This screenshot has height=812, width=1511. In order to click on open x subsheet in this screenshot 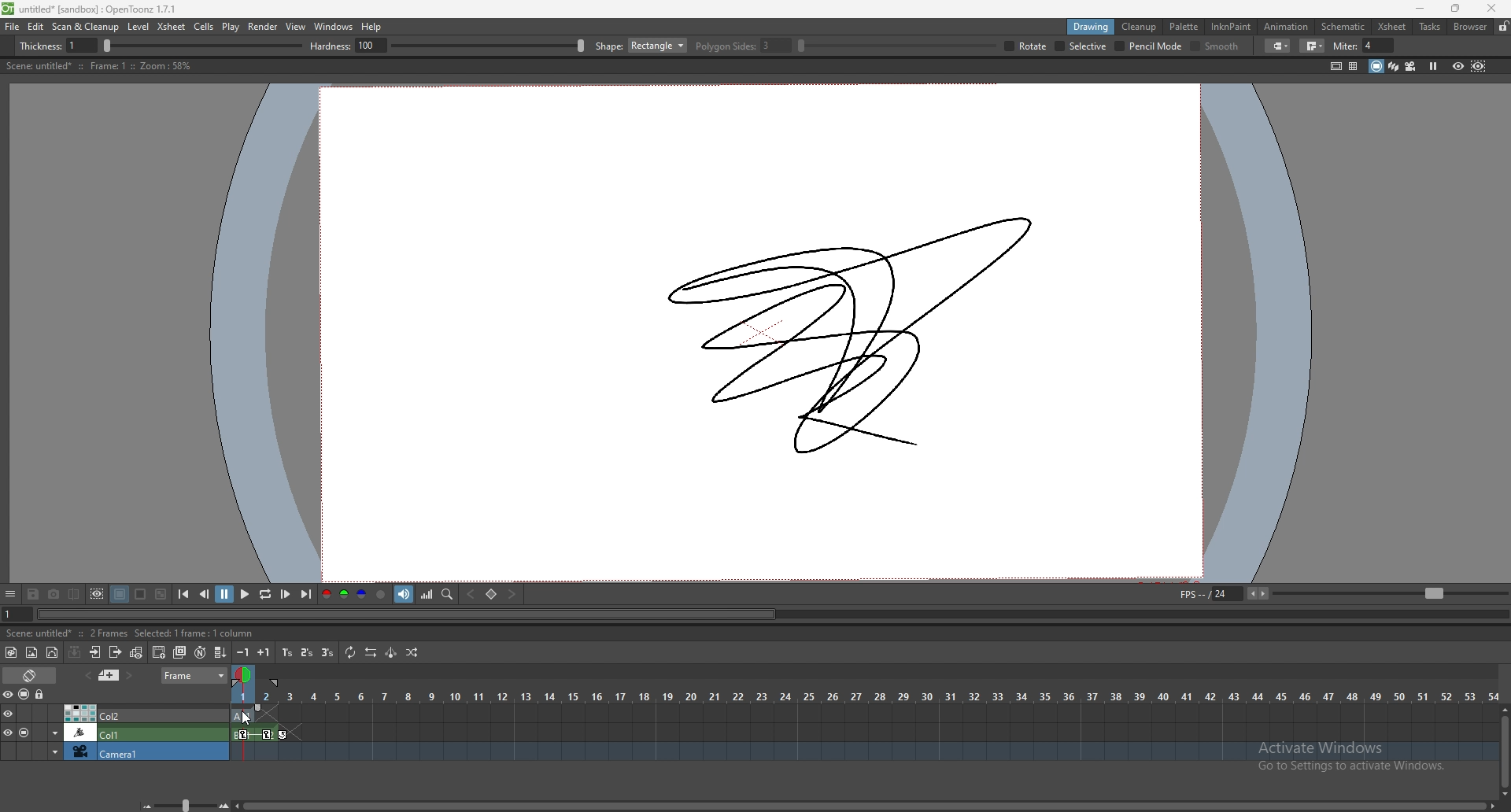, I will do `click(95, 652)`.